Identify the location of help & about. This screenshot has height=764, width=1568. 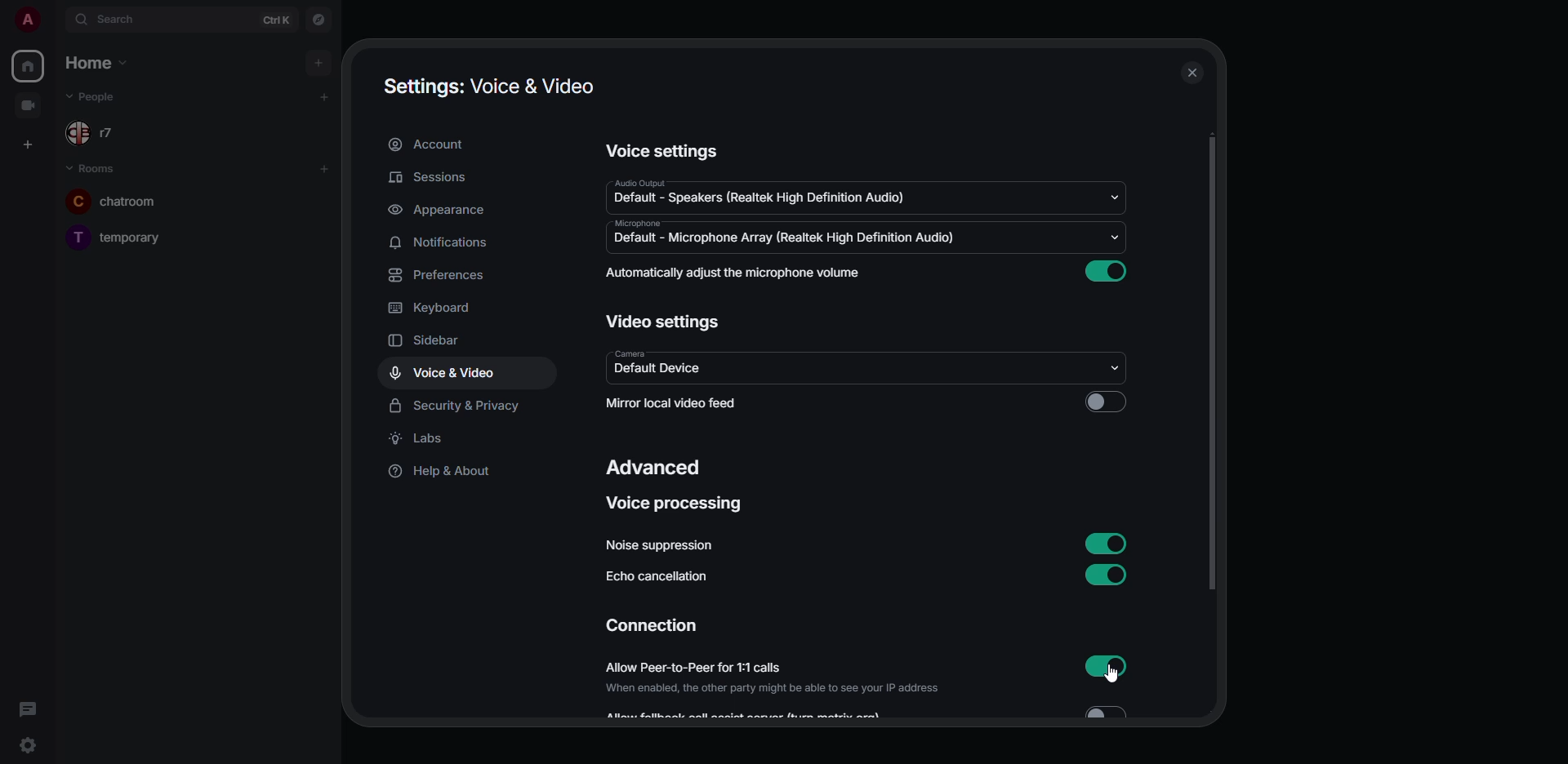
(439, 472).